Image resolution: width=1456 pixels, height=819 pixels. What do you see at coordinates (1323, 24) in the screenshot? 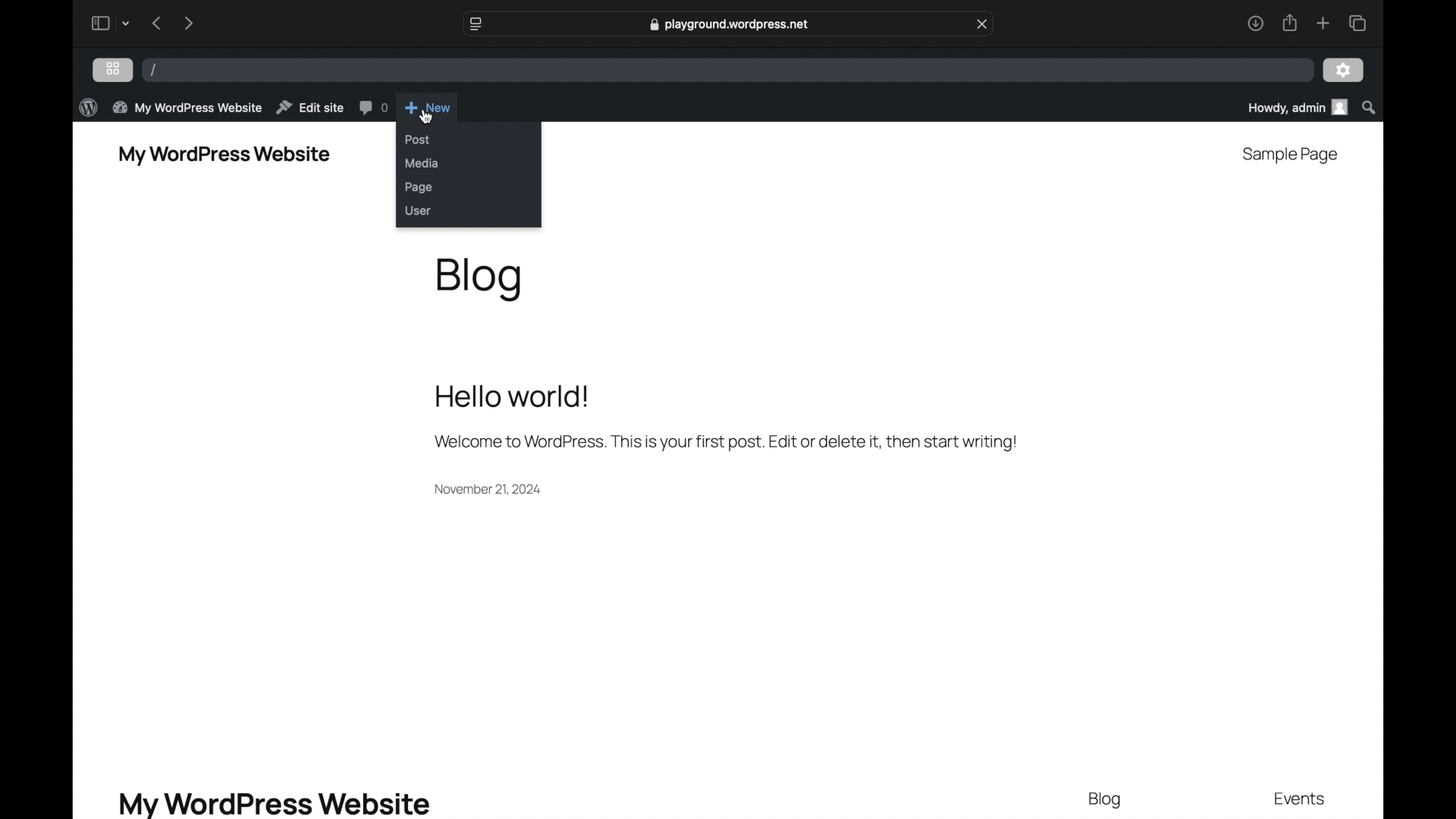
I see `new tab` at bounding box center [1323, 24].